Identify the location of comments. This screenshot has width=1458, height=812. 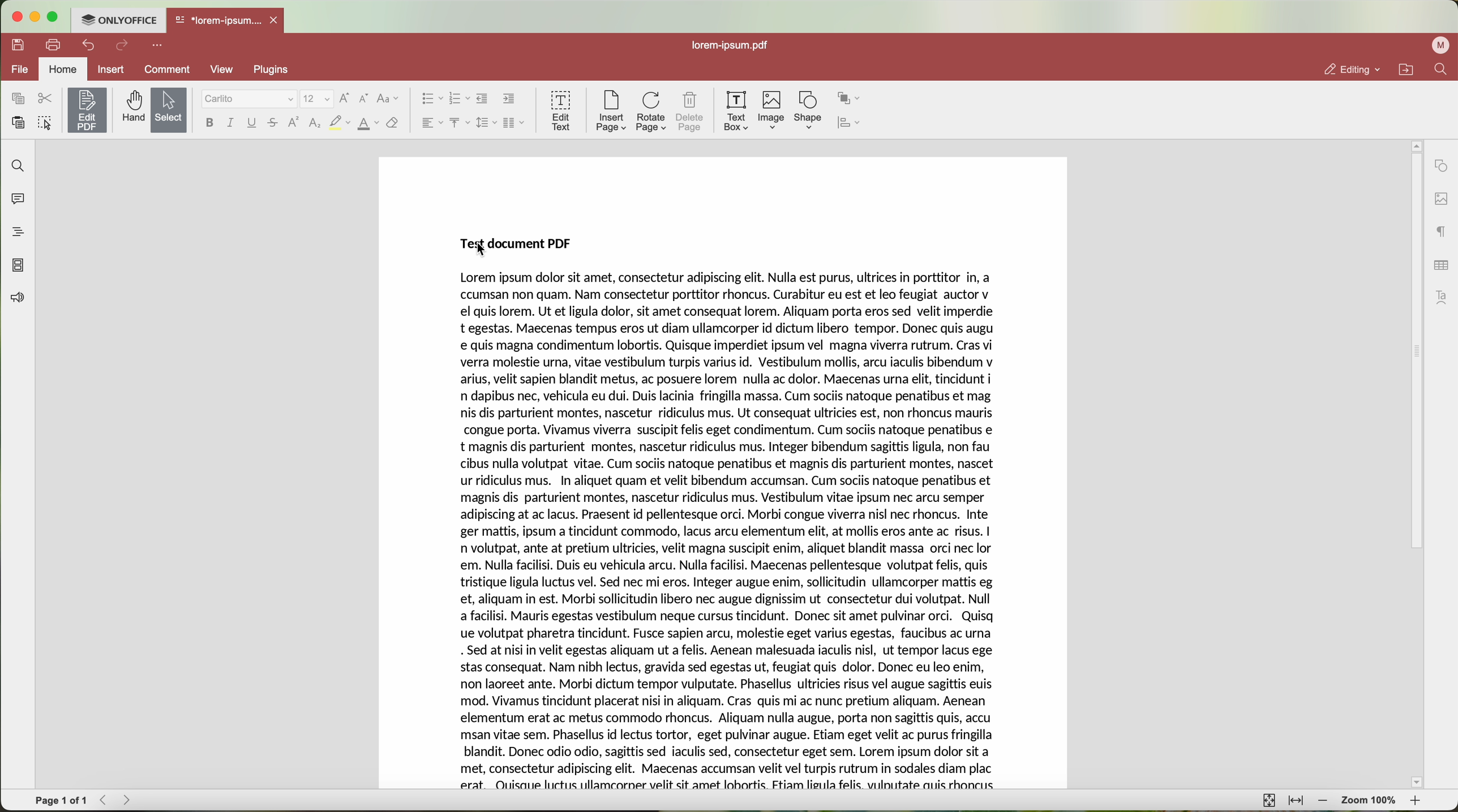
(20, 200).